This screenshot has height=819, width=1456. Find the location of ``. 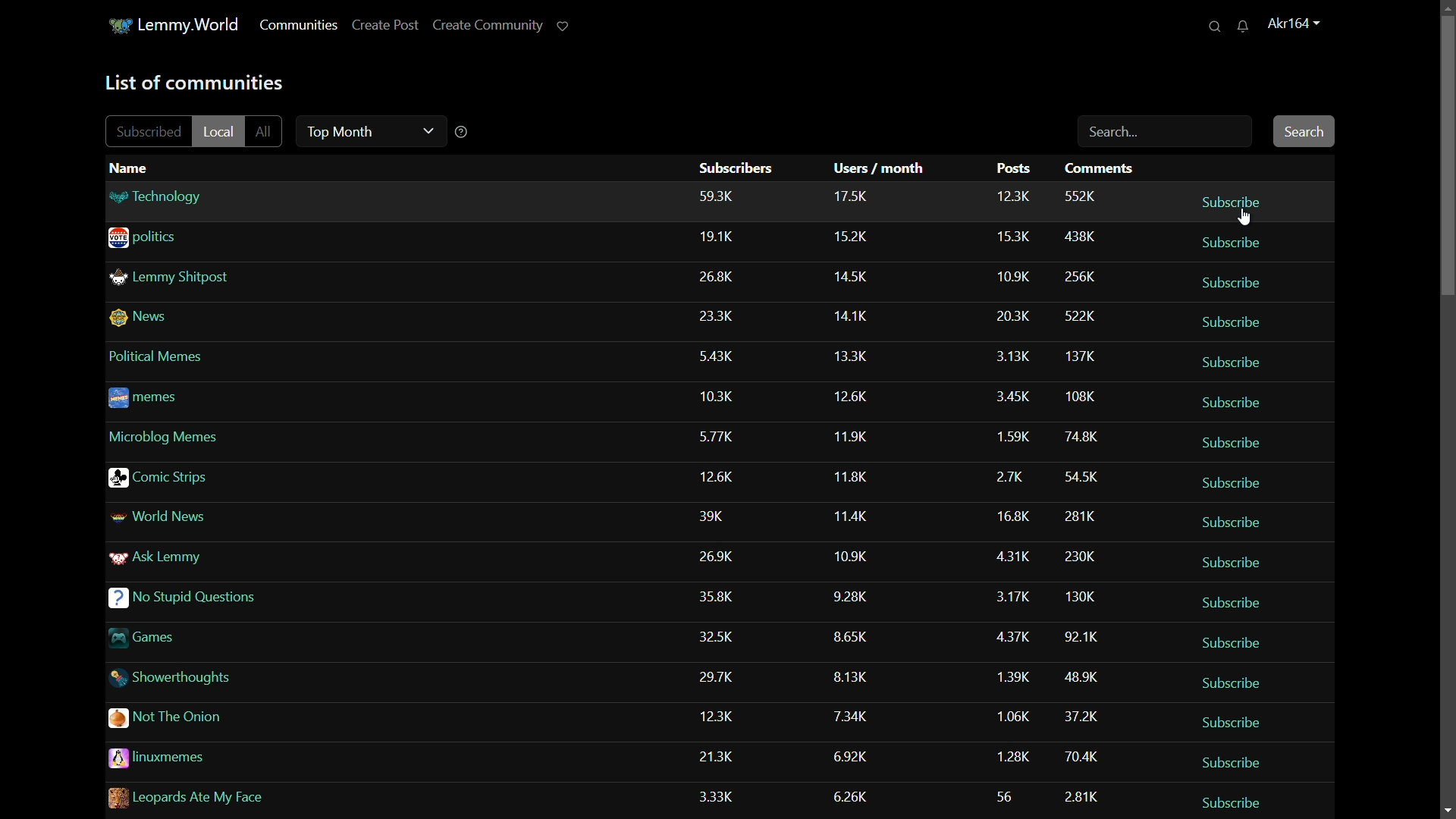

 is located at coordinates (726, 397).